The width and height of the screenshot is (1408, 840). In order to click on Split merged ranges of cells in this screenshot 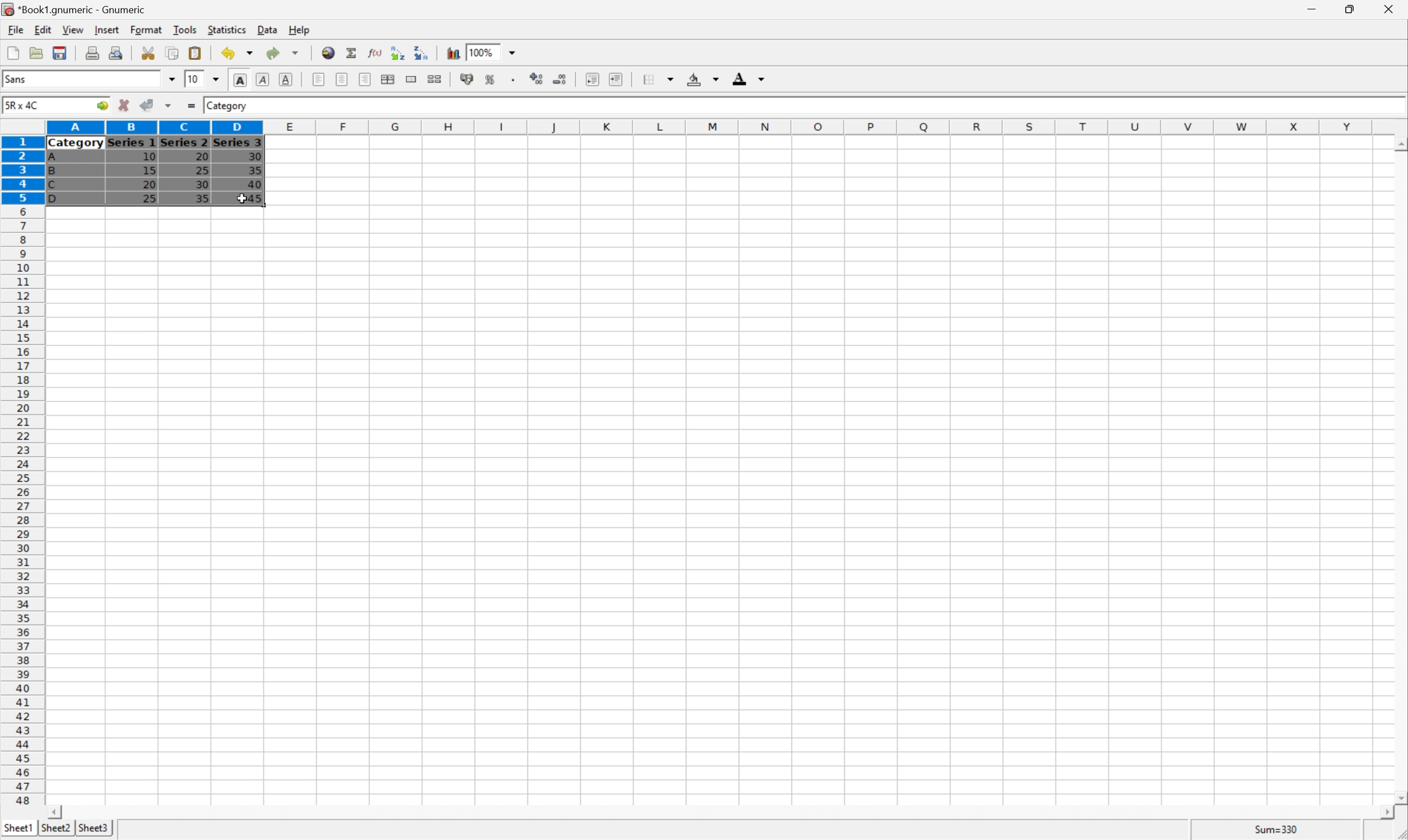, I will do `click(435, 79)`.